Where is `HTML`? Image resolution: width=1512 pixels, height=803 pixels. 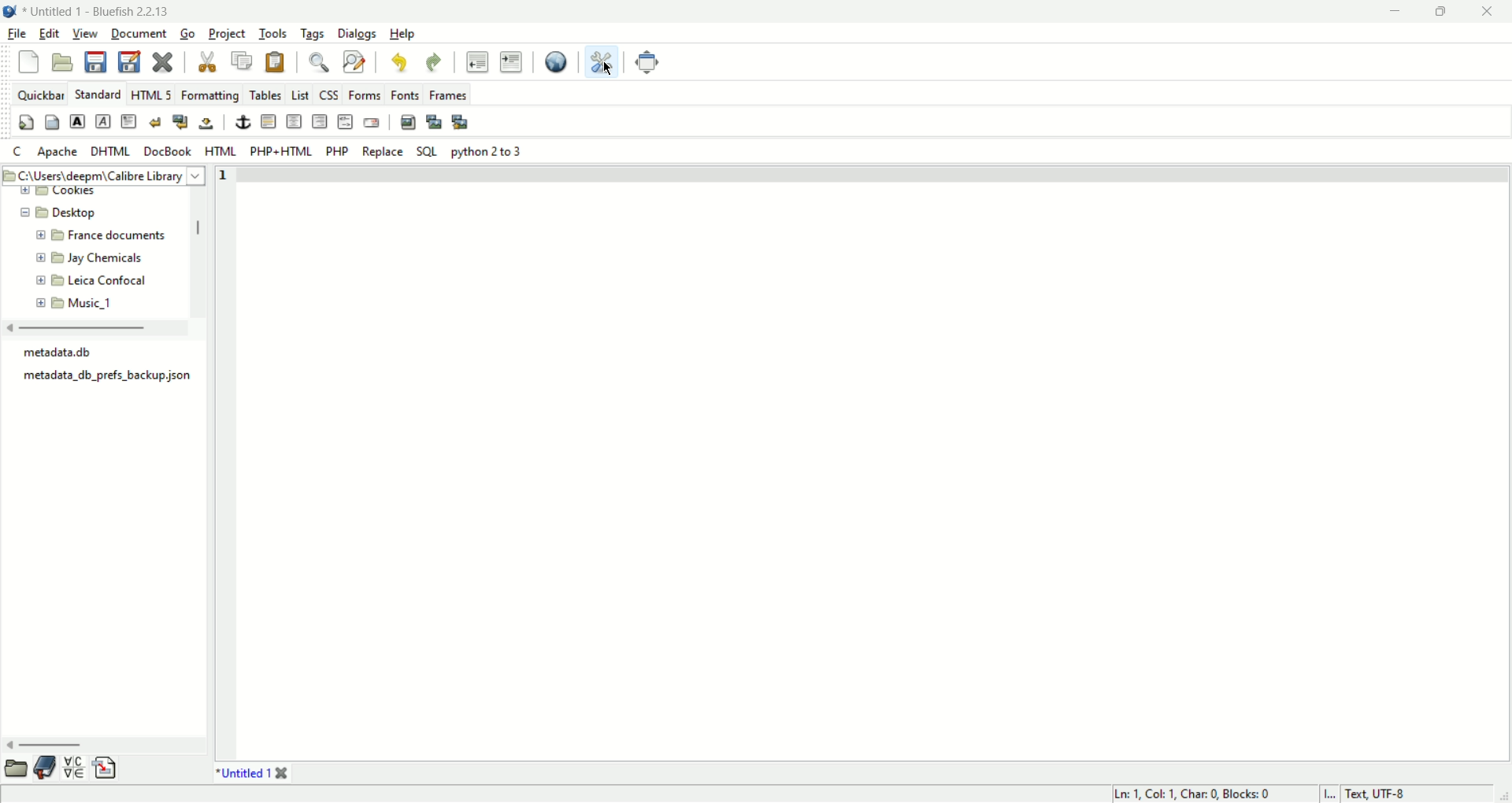 HTML is located at coordinates (220, 152).